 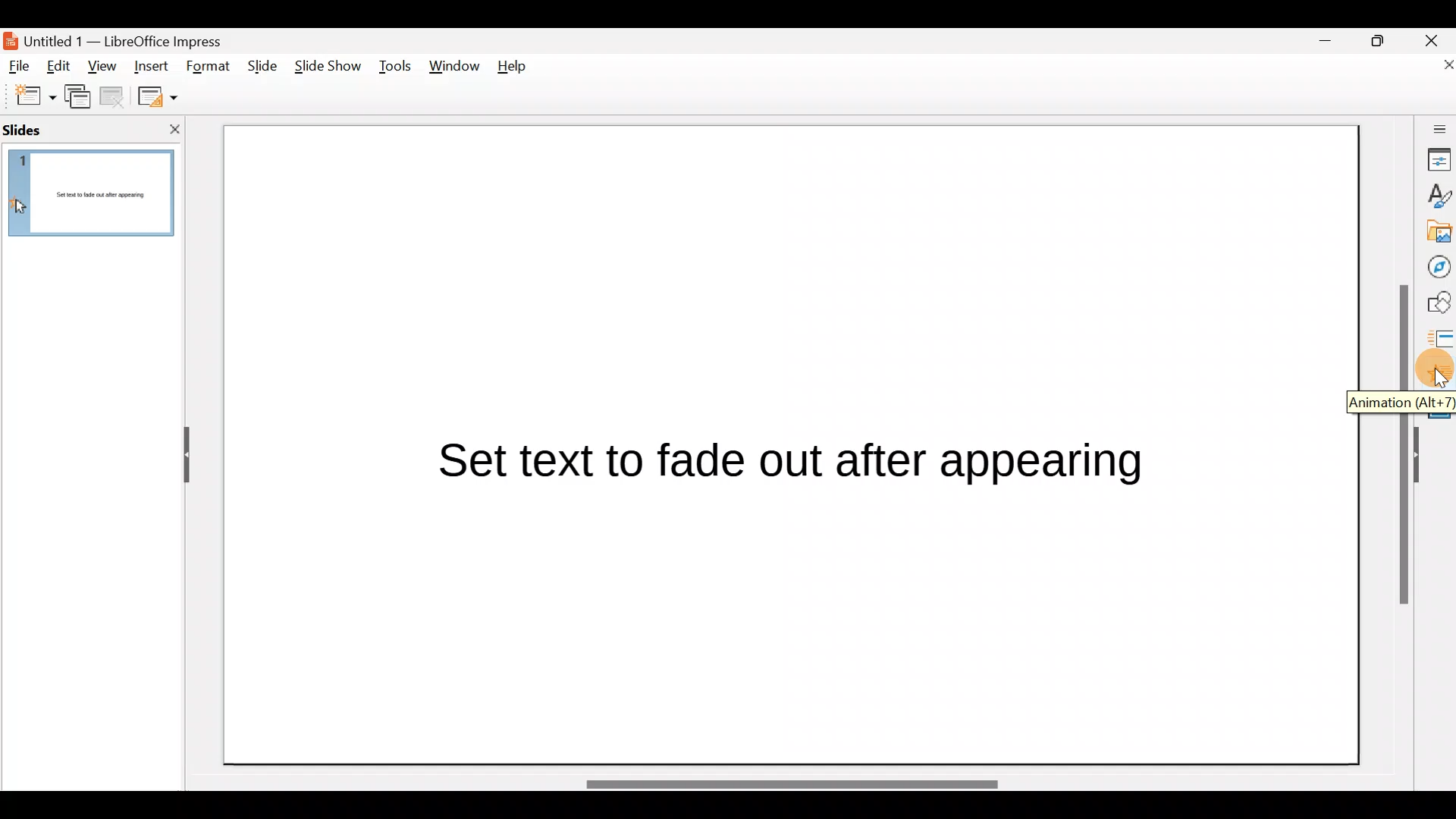 I want to click on Hide, so click(x=1421, y=460).